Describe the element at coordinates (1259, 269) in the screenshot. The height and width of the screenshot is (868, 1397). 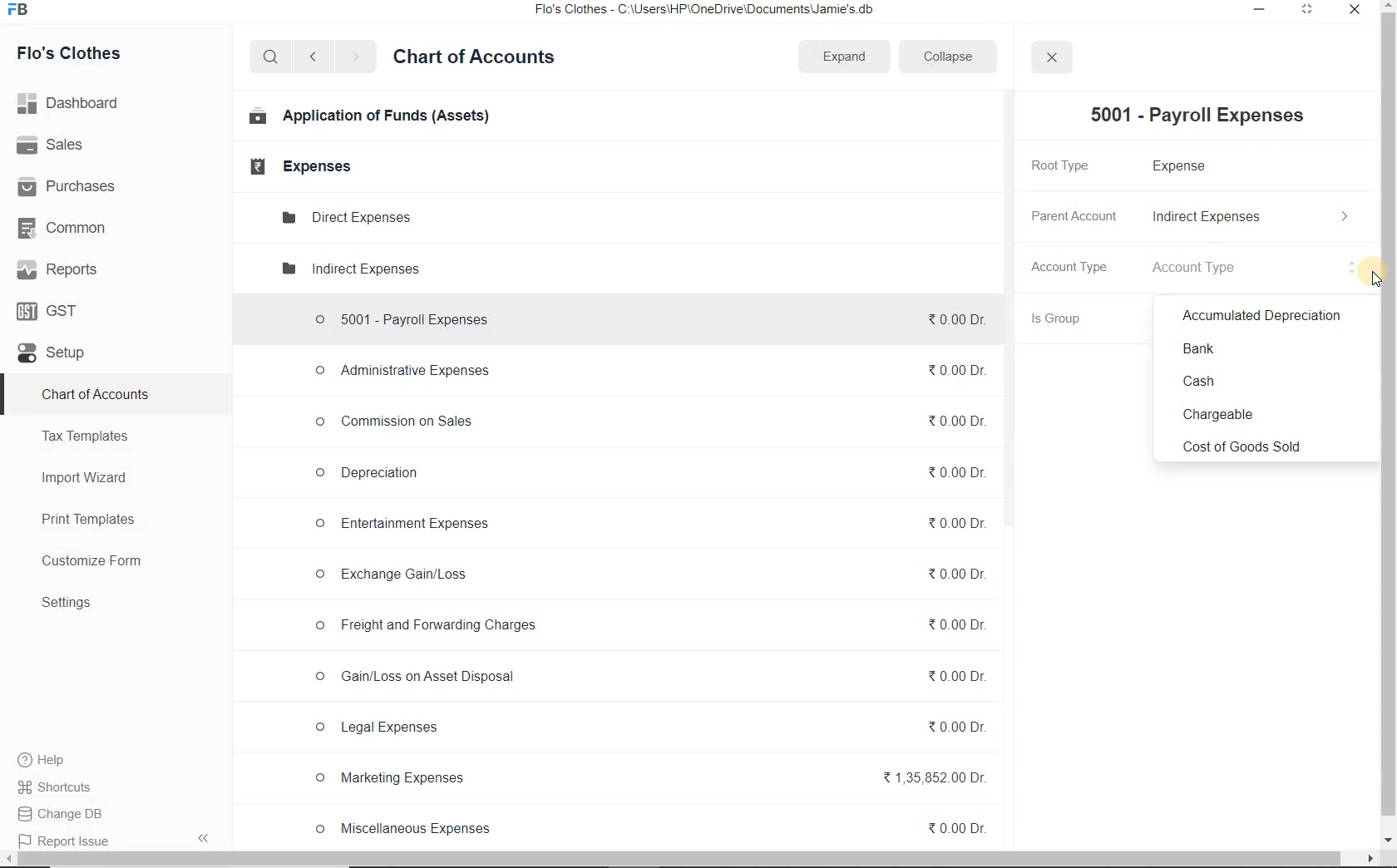
I see `Account Type` at that location.